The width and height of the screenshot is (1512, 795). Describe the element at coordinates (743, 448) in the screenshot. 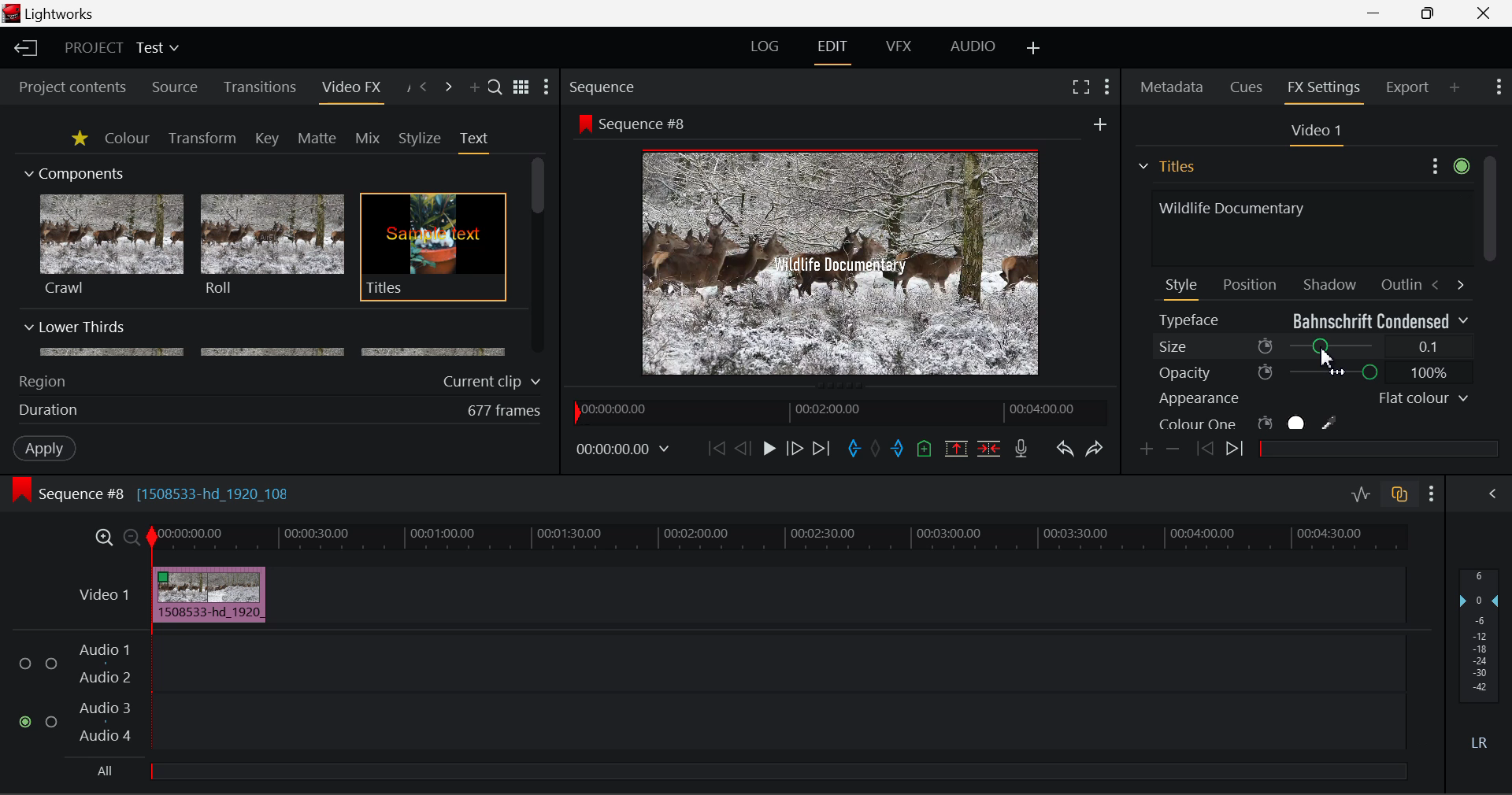

I see `Go Back` at that location.